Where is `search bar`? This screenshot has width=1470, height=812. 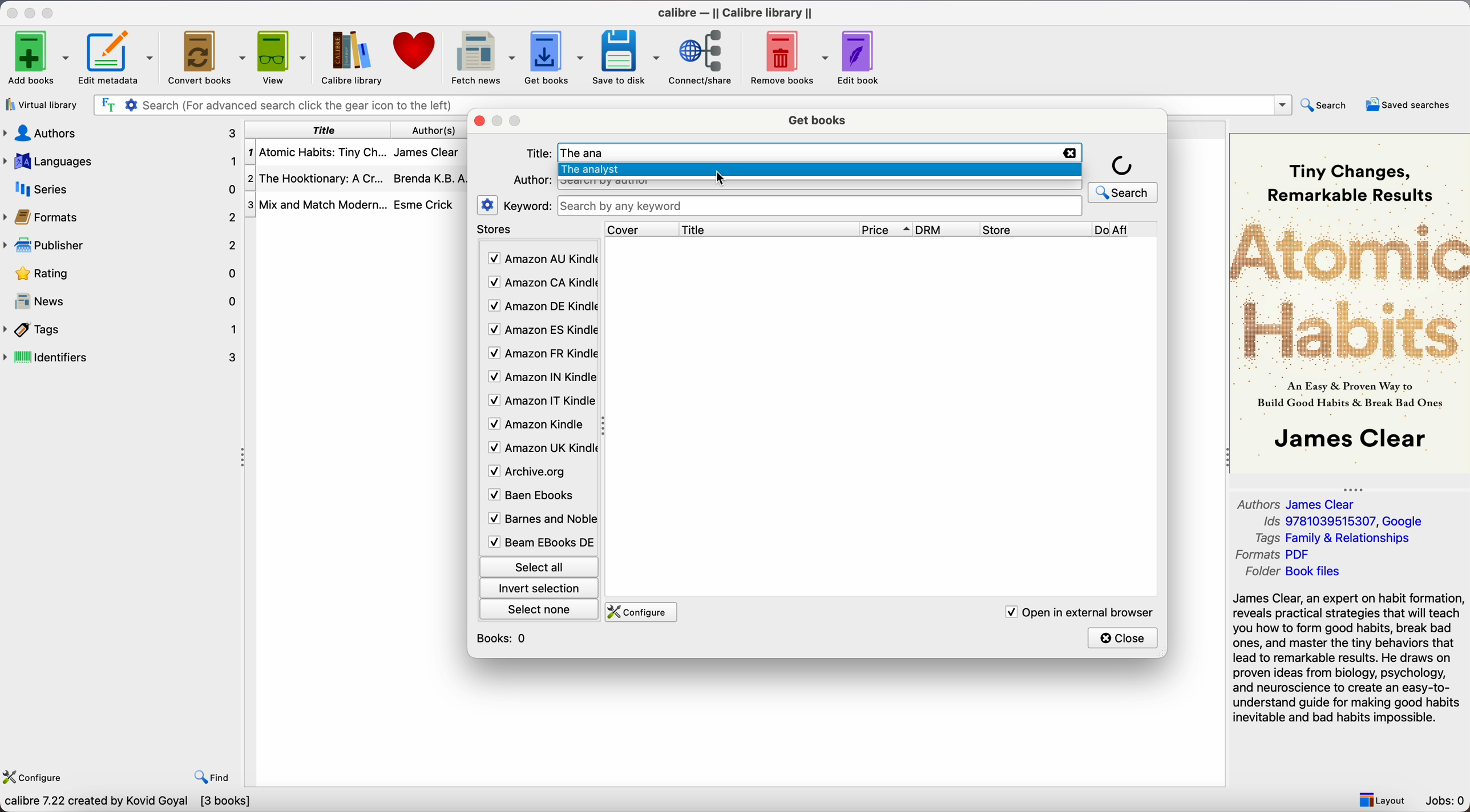
search bar is located at coordinates (821, 206).